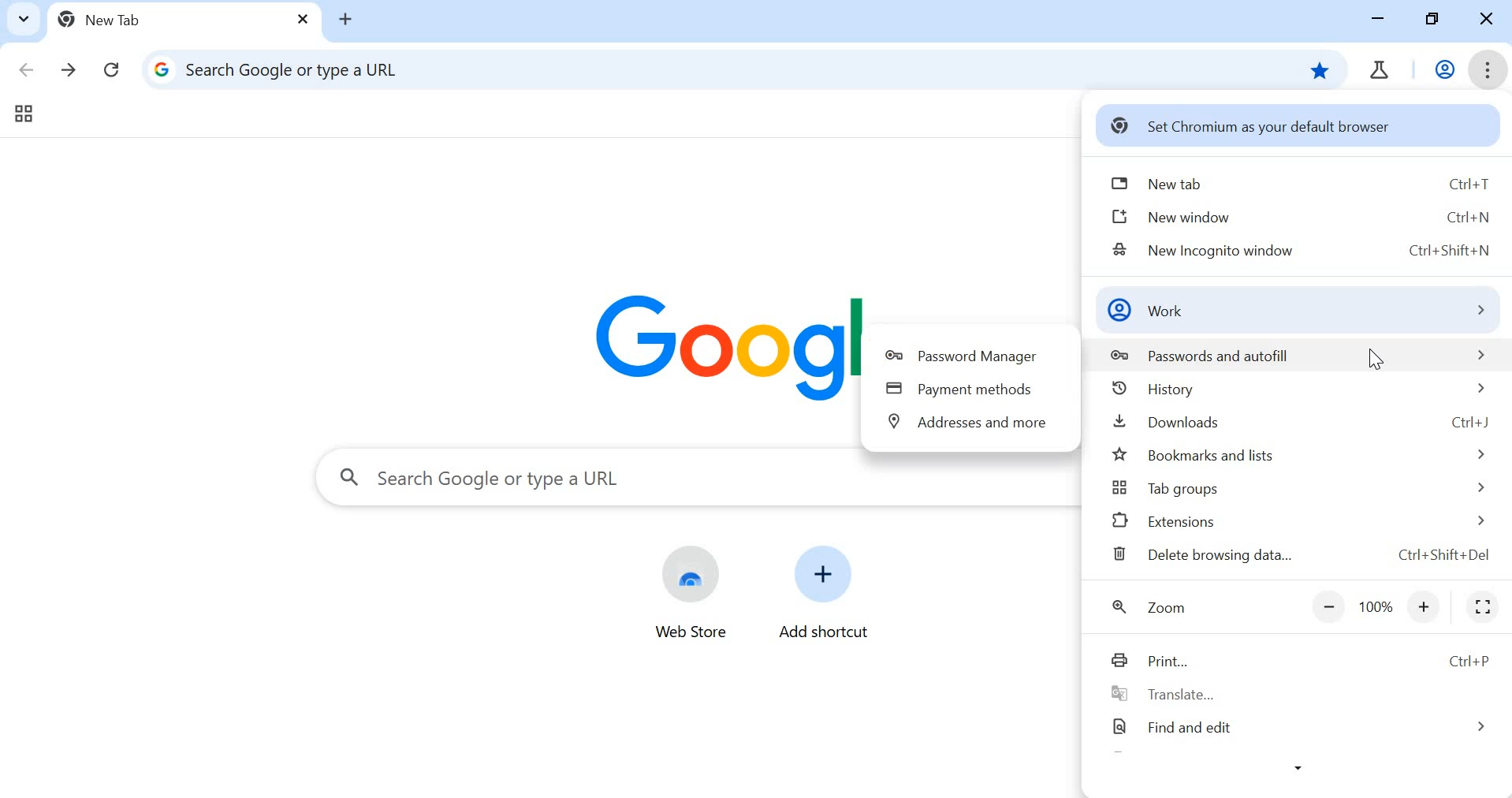  What do you see at coordinates (1294, 311) in the screenshot?
I see `work` at bounding box center [1294, 311].